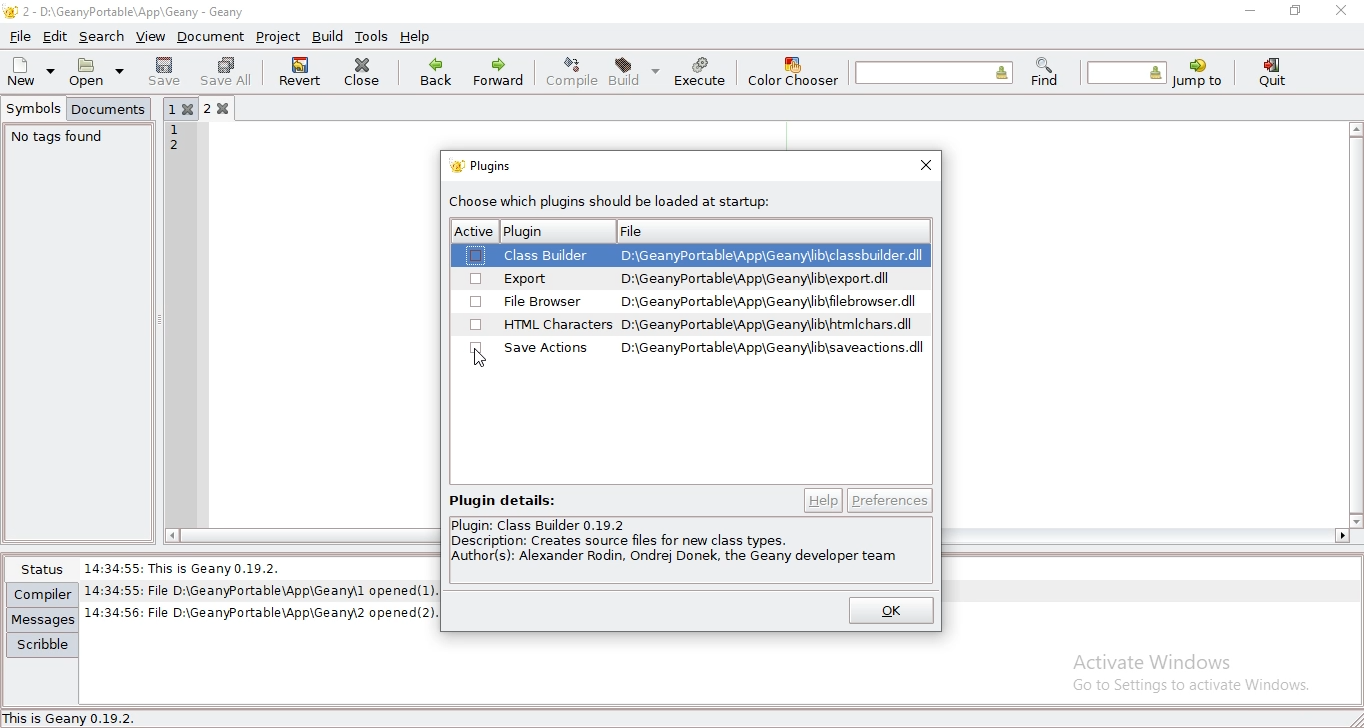  What do you see at coordinates (21, 34) in the screenshot?
I see `file` at bounding box center [21, 34].